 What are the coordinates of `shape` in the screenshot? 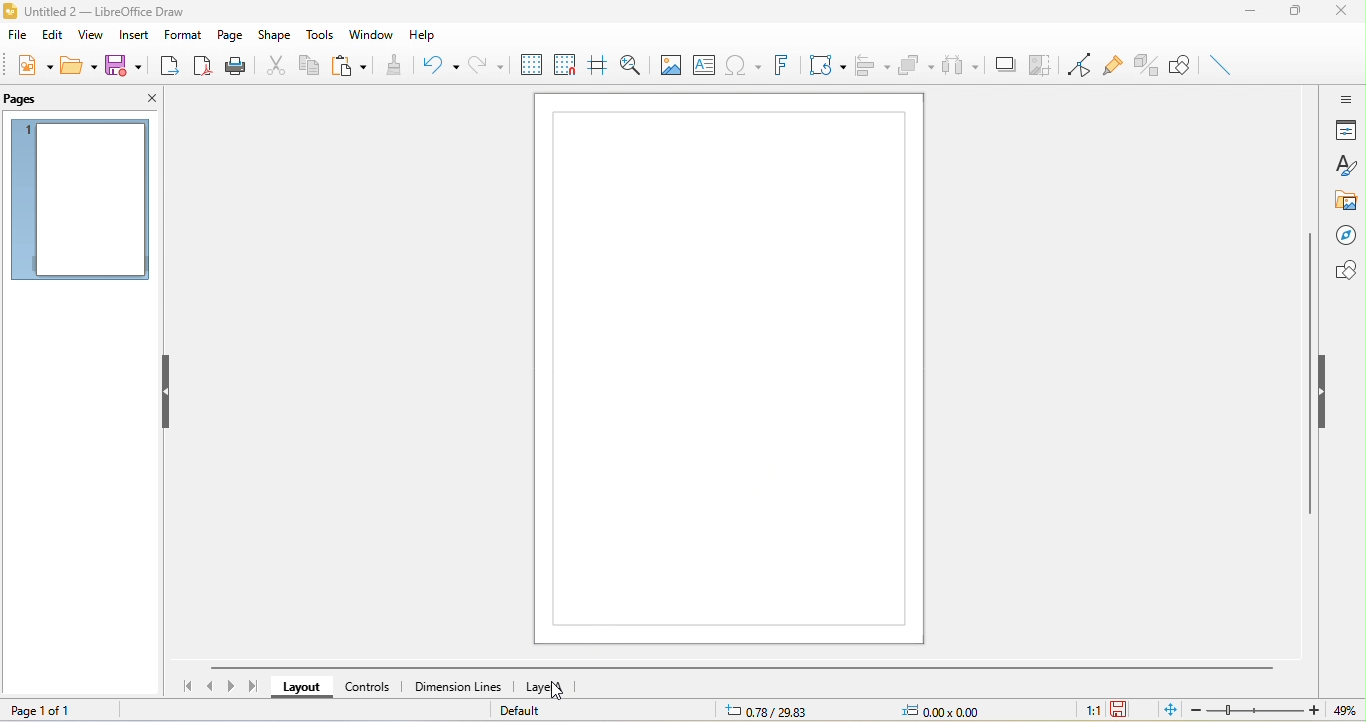 It's located at (274, 33).